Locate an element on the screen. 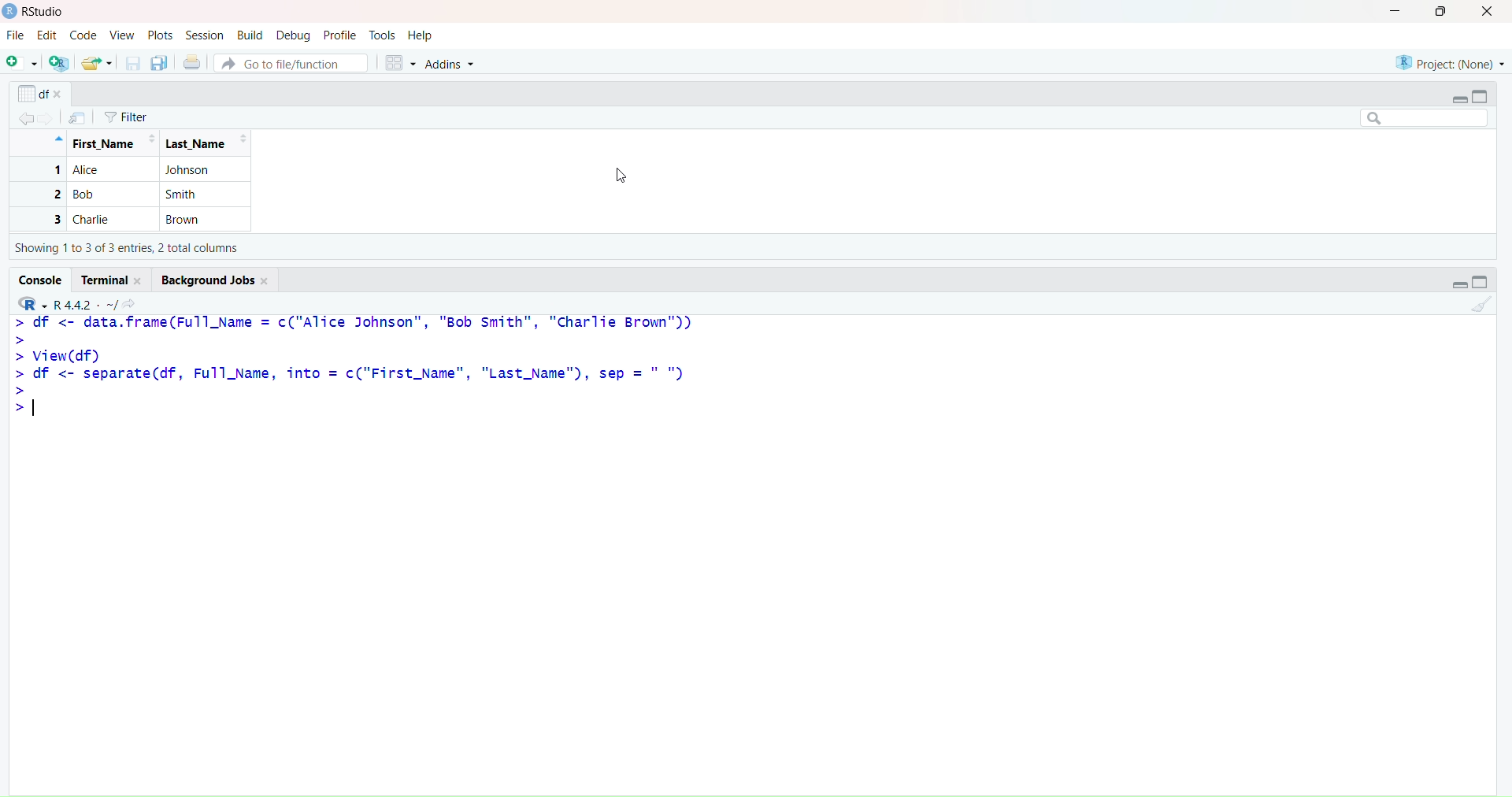  Session is located at coordinates (205, 35).